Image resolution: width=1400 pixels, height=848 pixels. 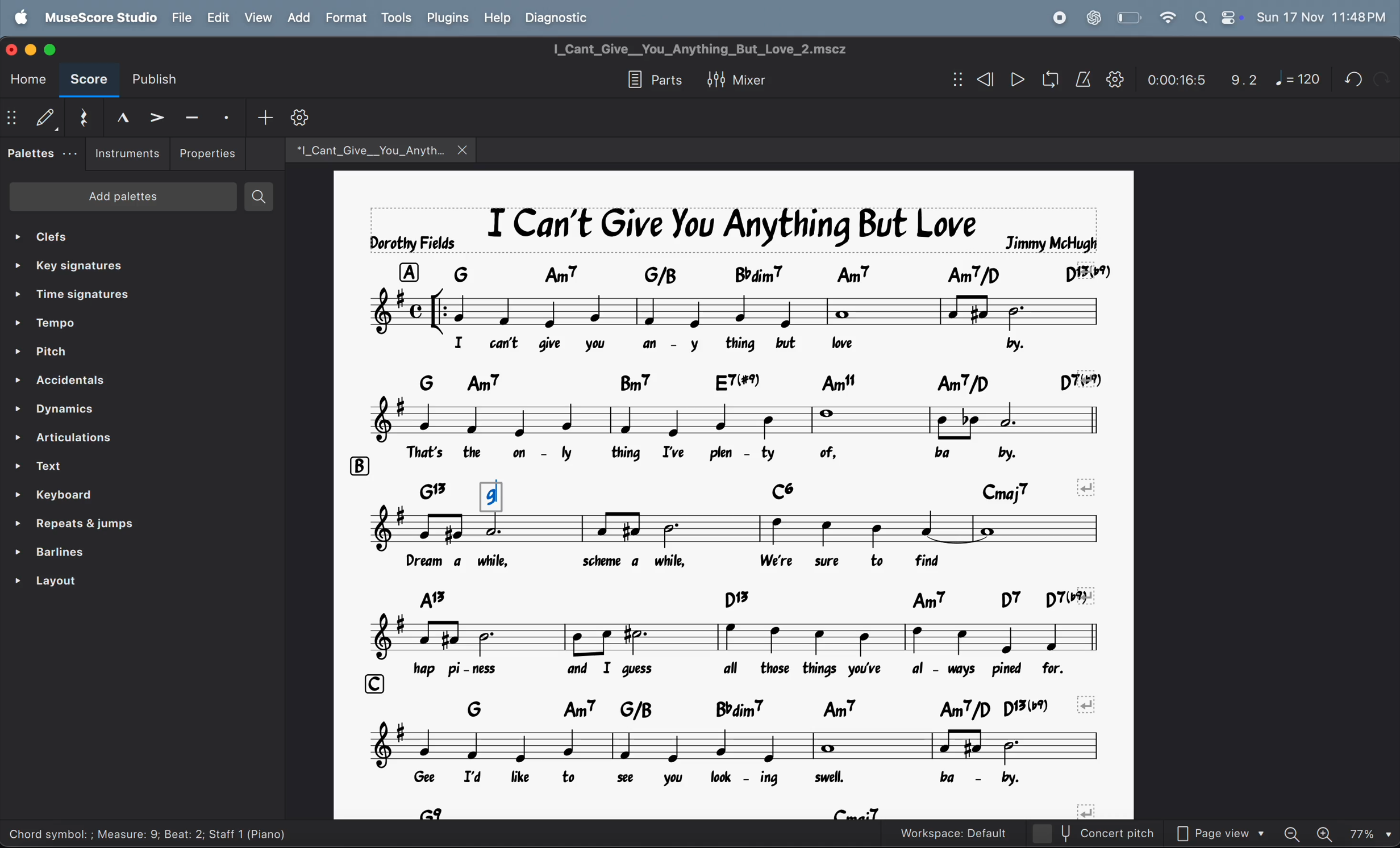 I want to click on apple widgets, so click(x=1218, y=17).